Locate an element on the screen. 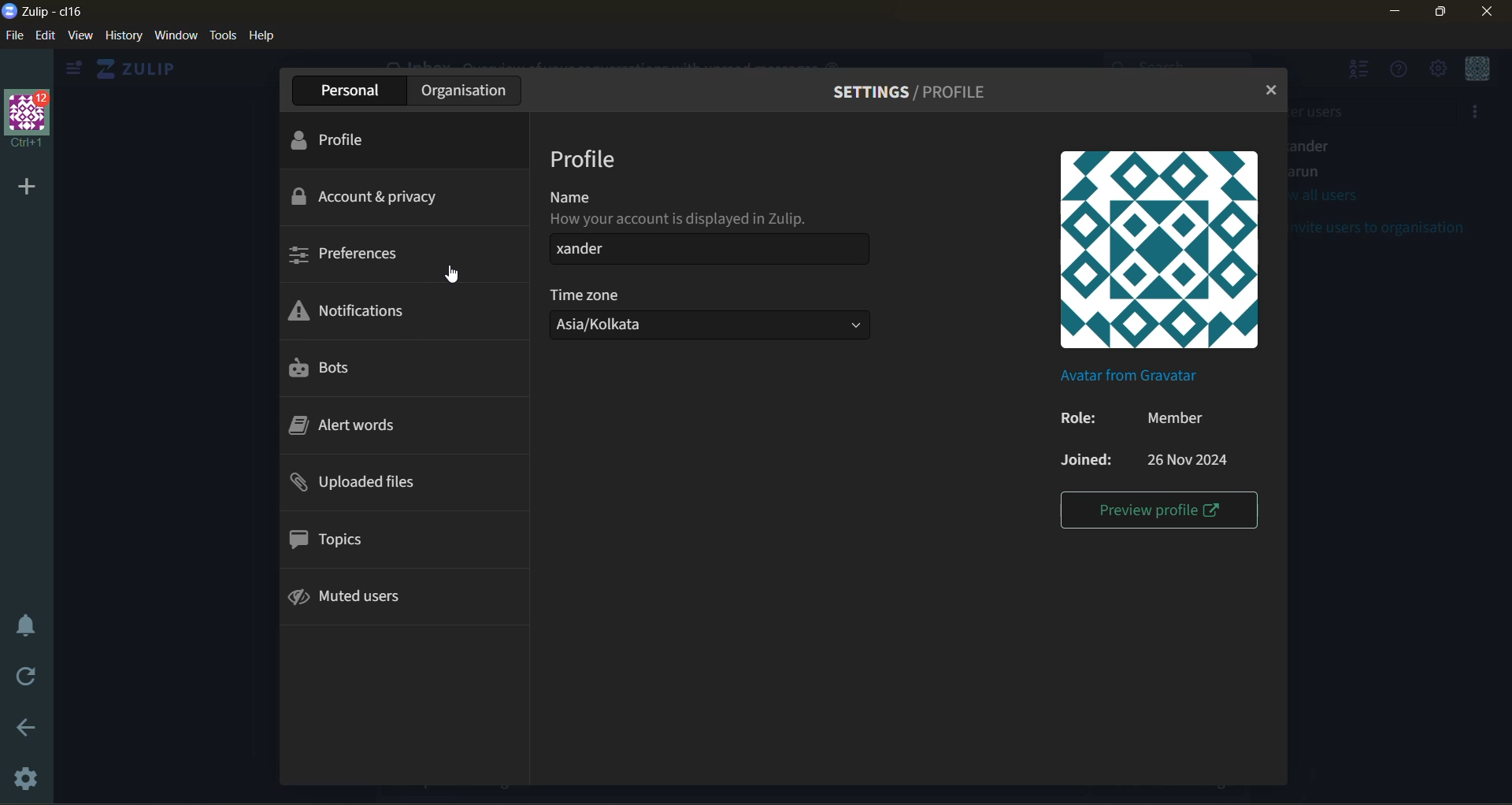  bots is located at coordinates (334, 369).